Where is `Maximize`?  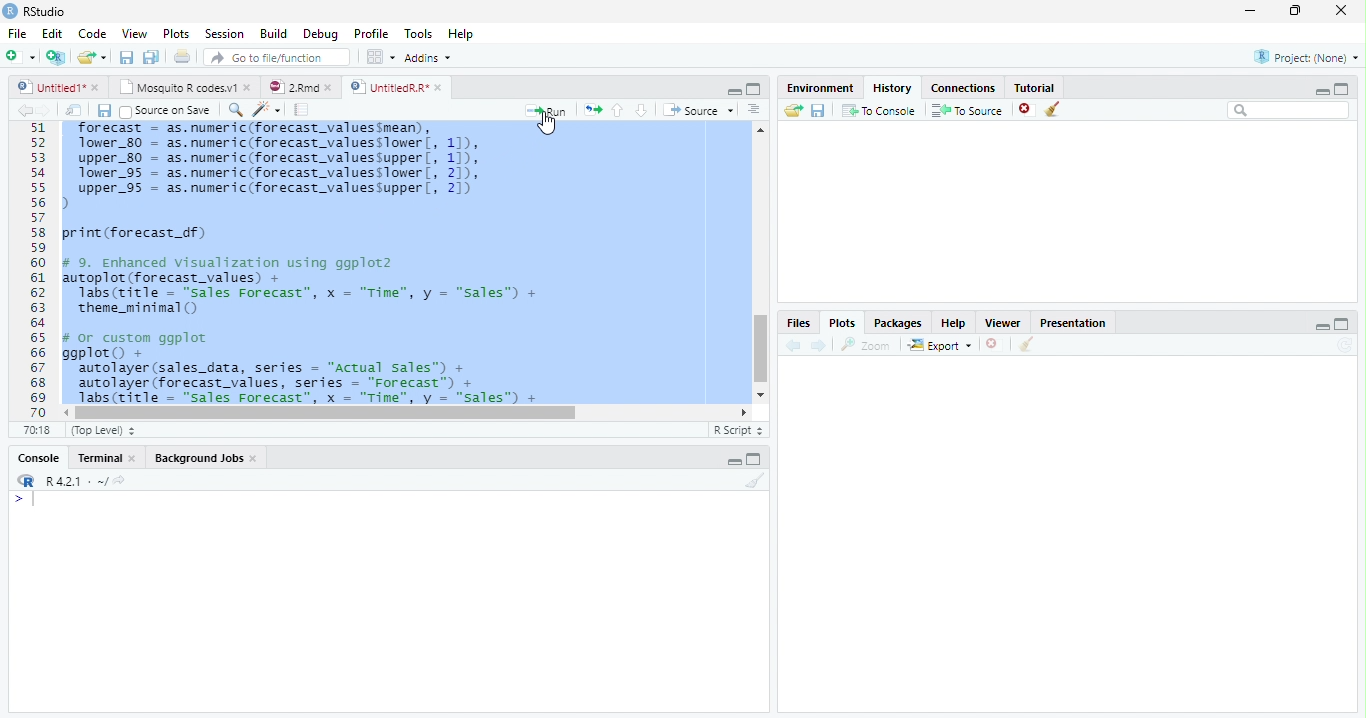 Maximize is located at coordinates (756, 460).